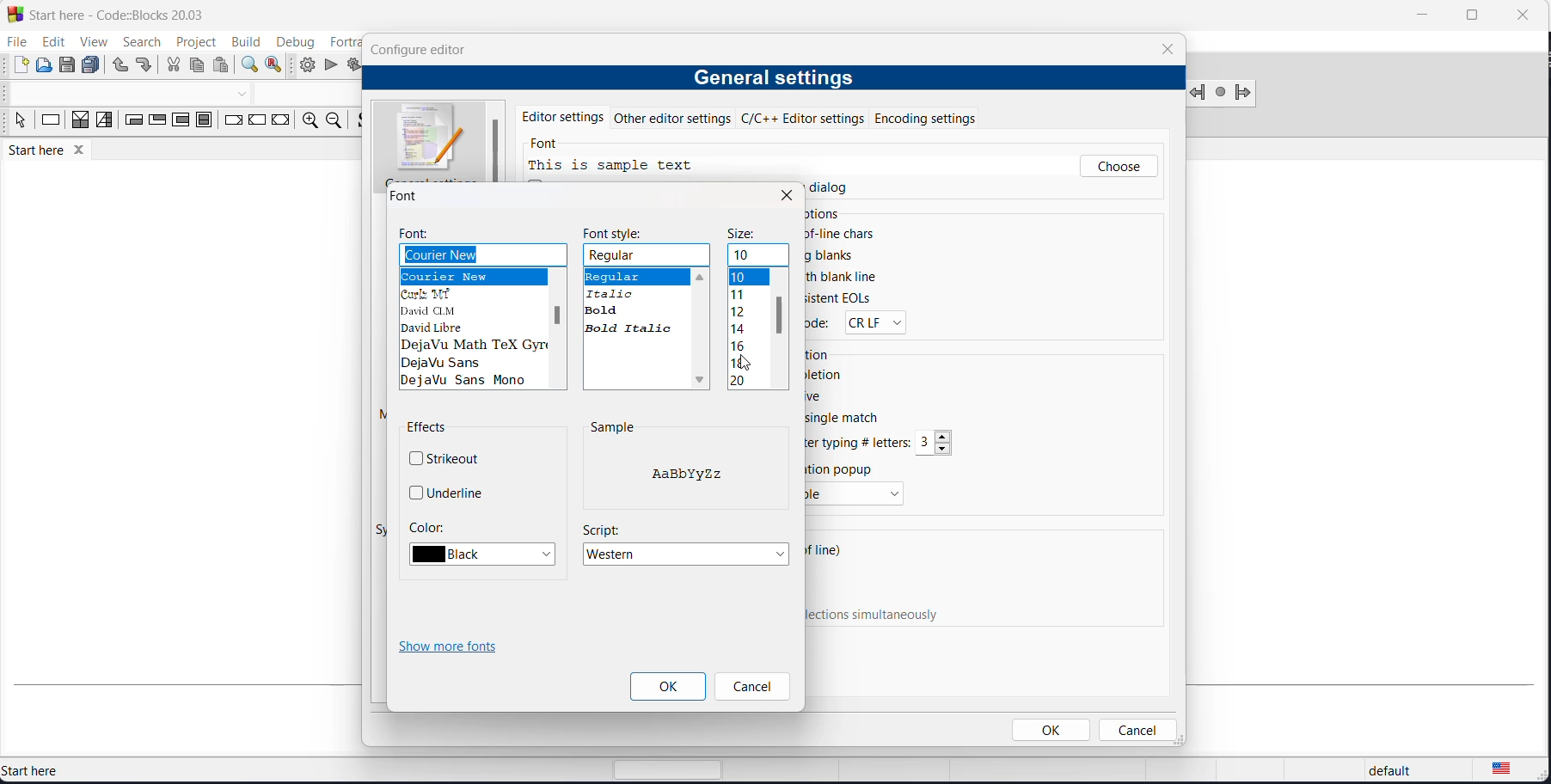 This screenshot has height=784, width=1551. Describe the element at coordinates (359, 123) in the screenshot. I see `source comments` at that location.